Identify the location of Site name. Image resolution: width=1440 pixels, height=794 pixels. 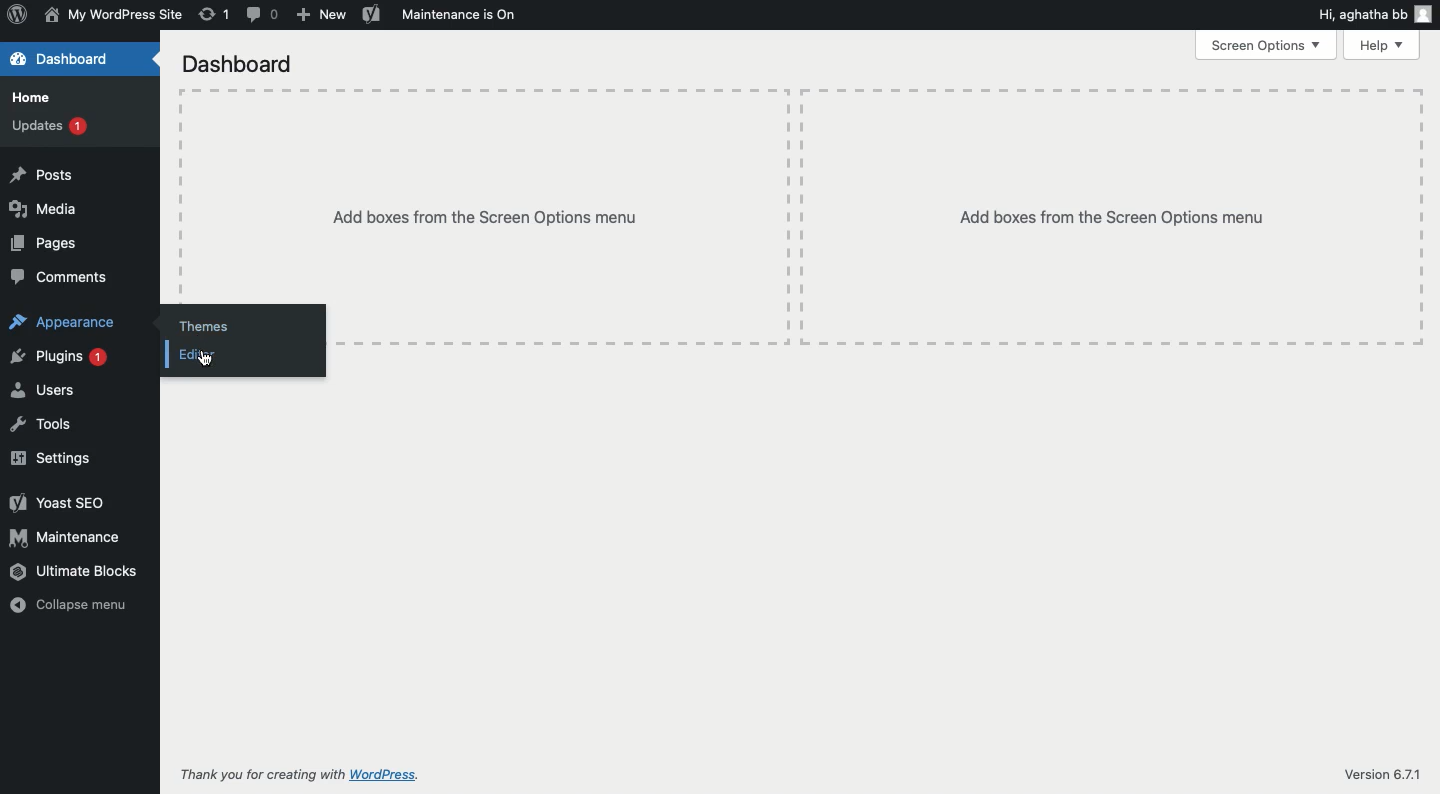
(110, 15).